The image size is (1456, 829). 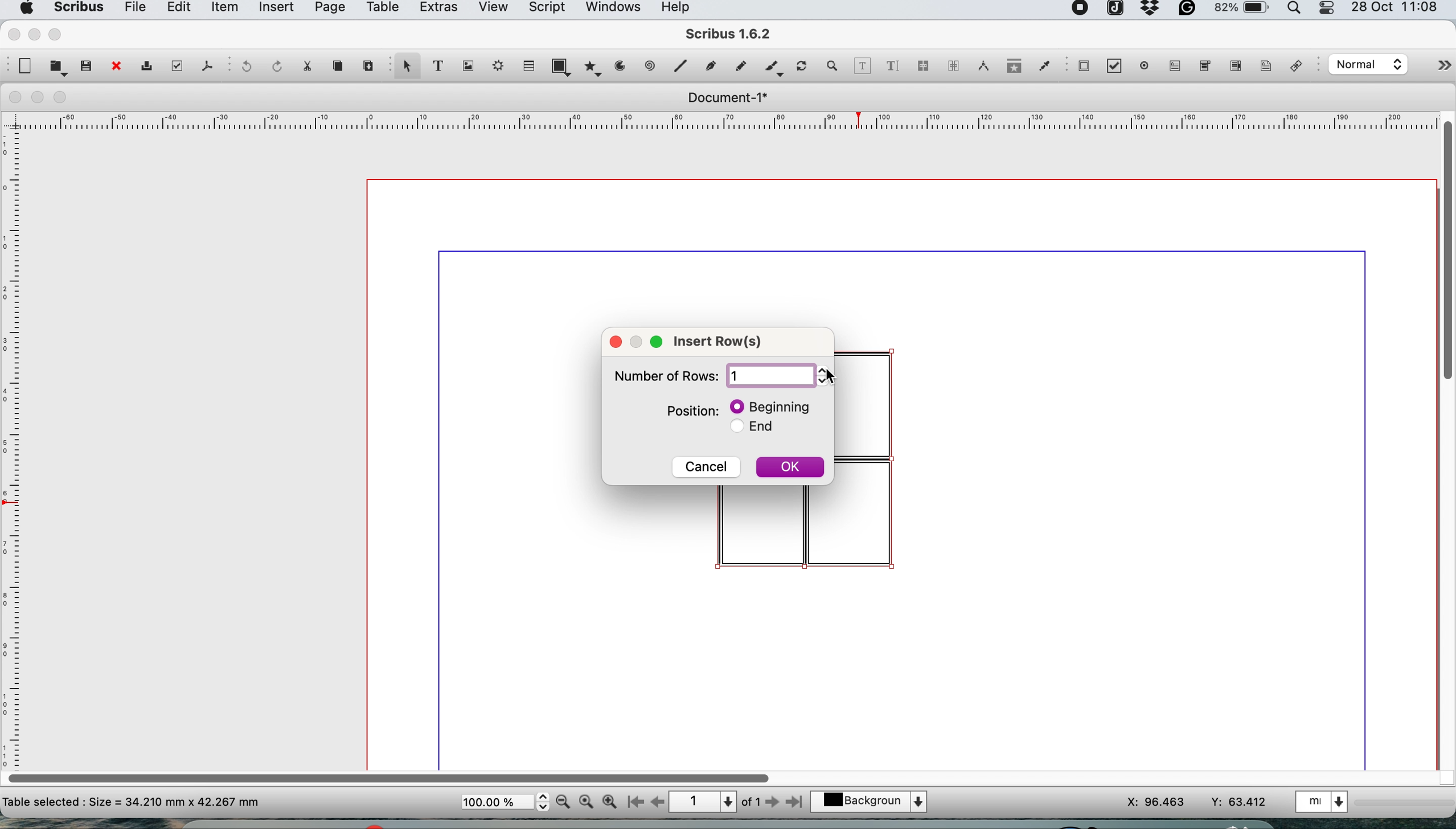 I want to click on link text frames, so click(x=922, y=68).